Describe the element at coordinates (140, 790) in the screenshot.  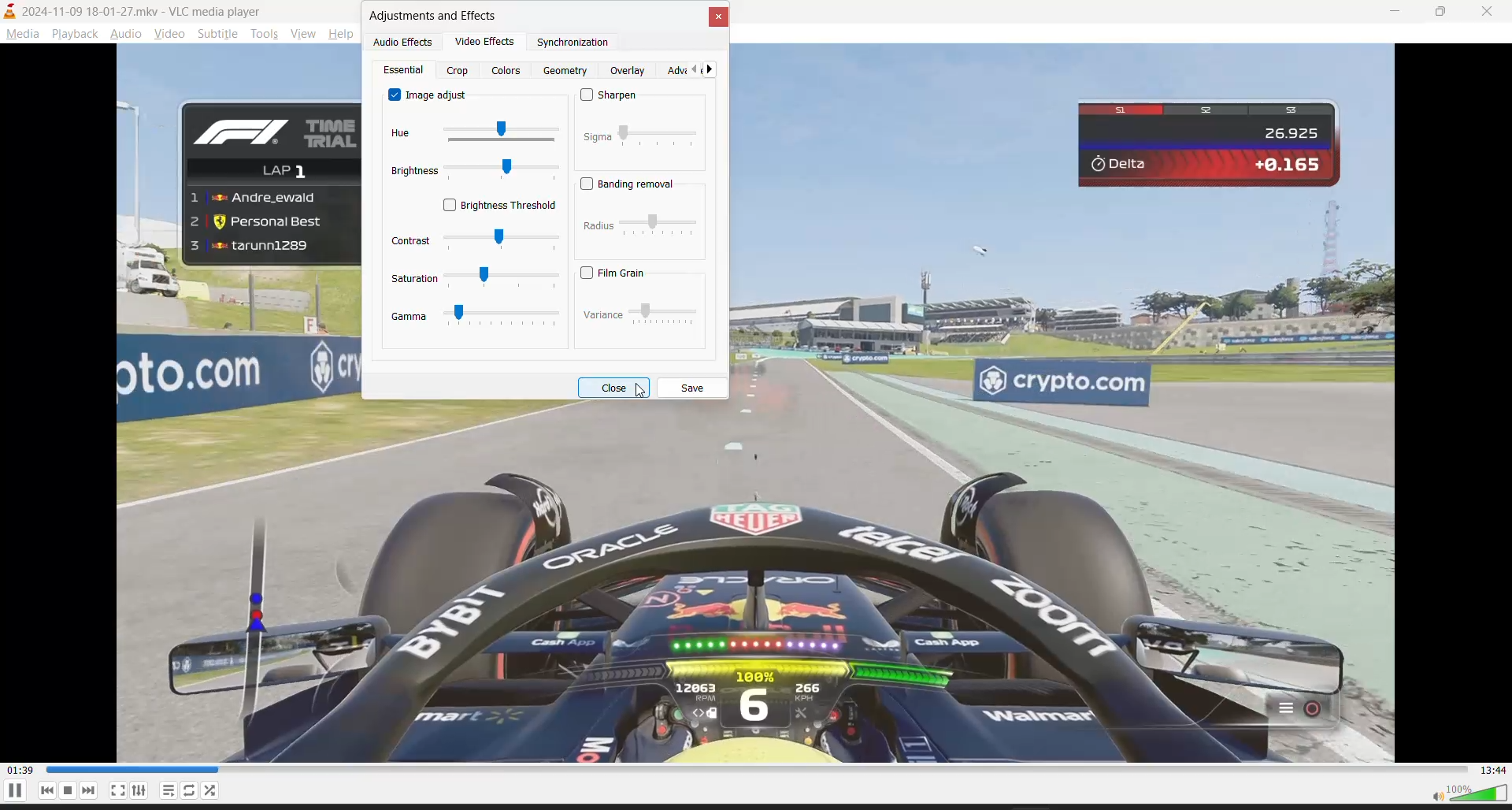
I see `settings` at that location.